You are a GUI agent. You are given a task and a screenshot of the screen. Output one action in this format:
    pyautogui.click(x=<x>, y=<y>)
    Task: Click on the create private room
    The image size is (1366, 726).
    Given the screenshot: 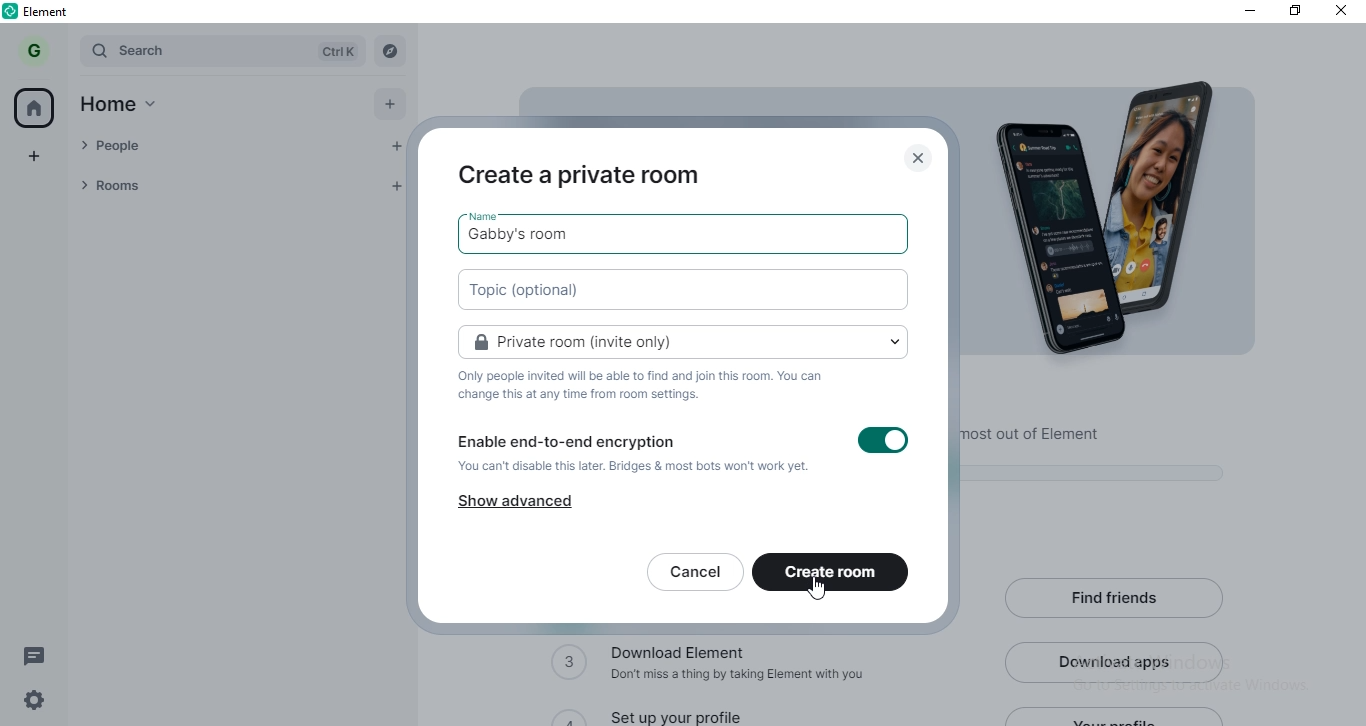 What is the action you would take?
    pyautogui.click(x=584, y=173)
    